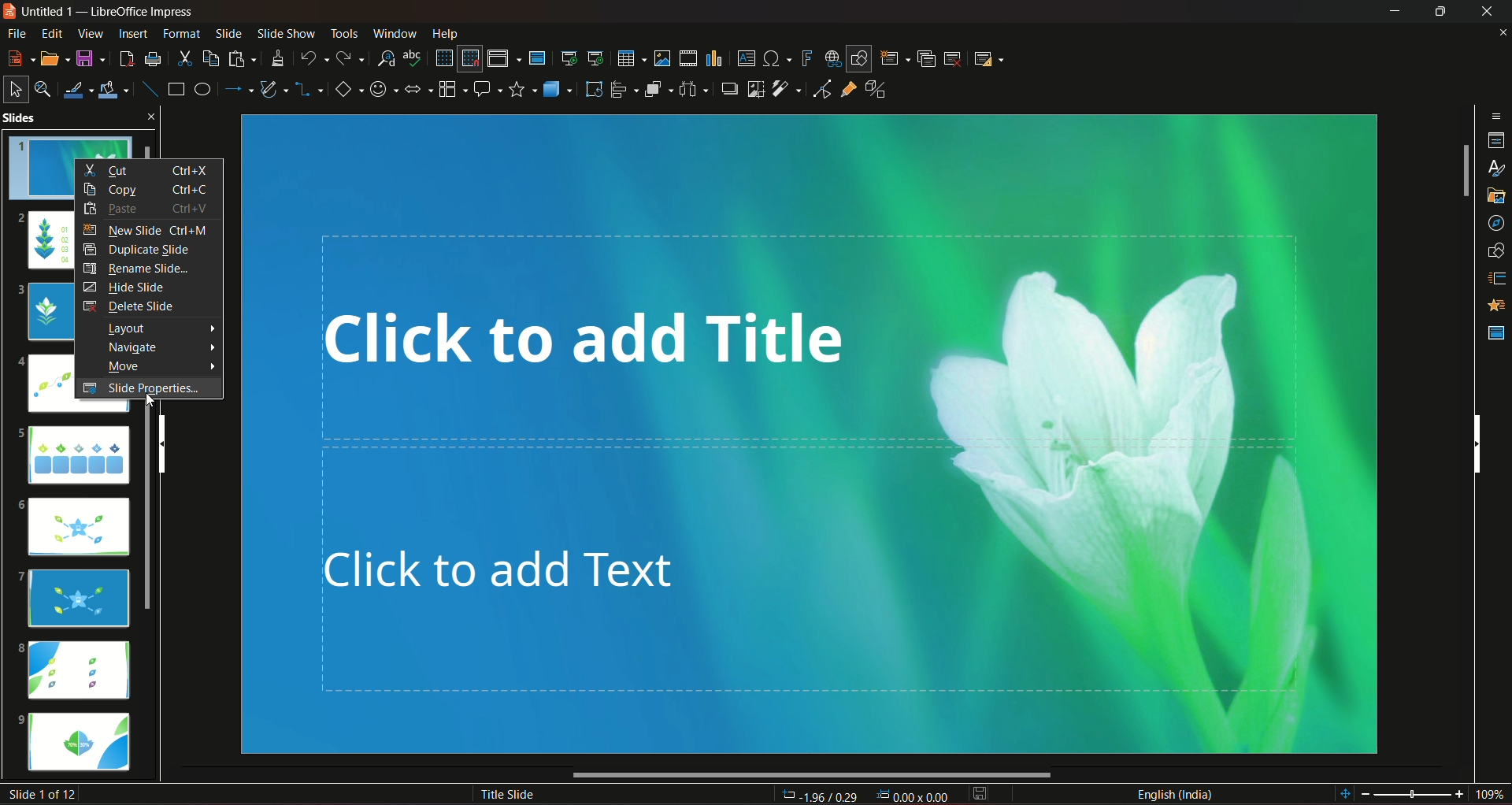  Describe the element at coordinates (414, 58) in the screenshot. I see `spelling` at that location.